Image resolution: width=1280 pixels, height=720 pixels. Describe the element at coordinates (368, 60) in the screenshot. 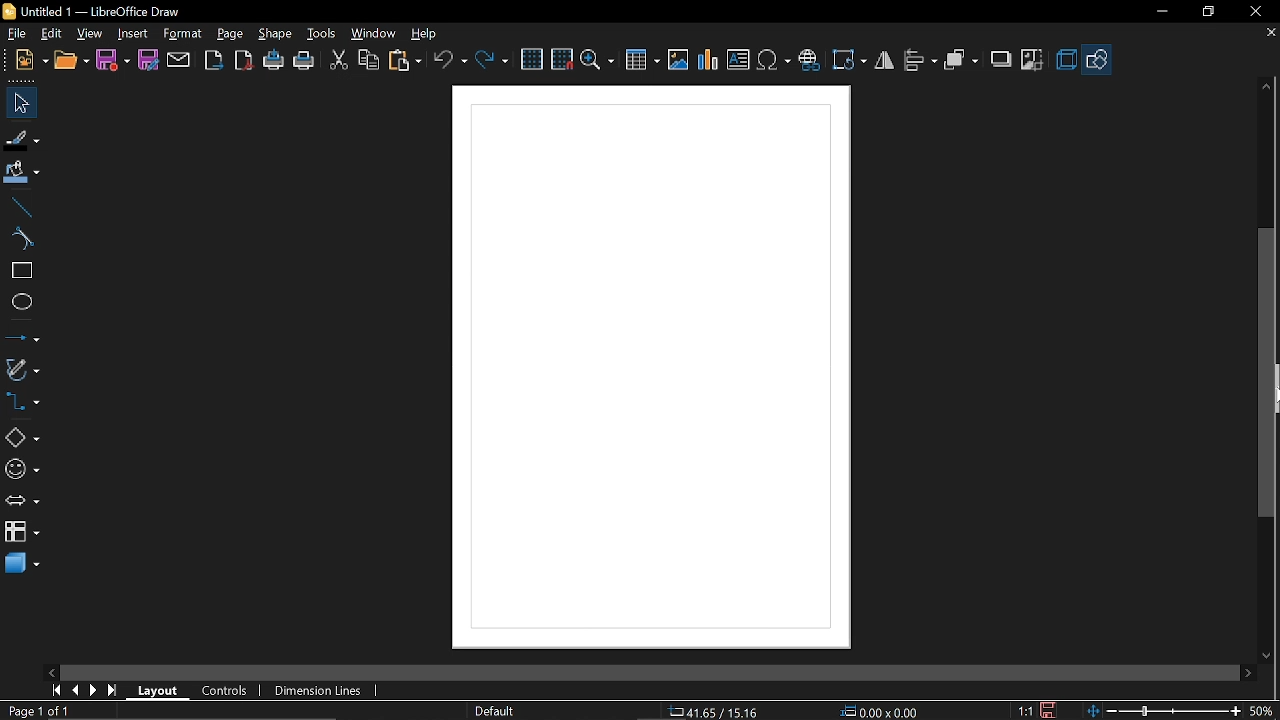

I see `copy` at that location.